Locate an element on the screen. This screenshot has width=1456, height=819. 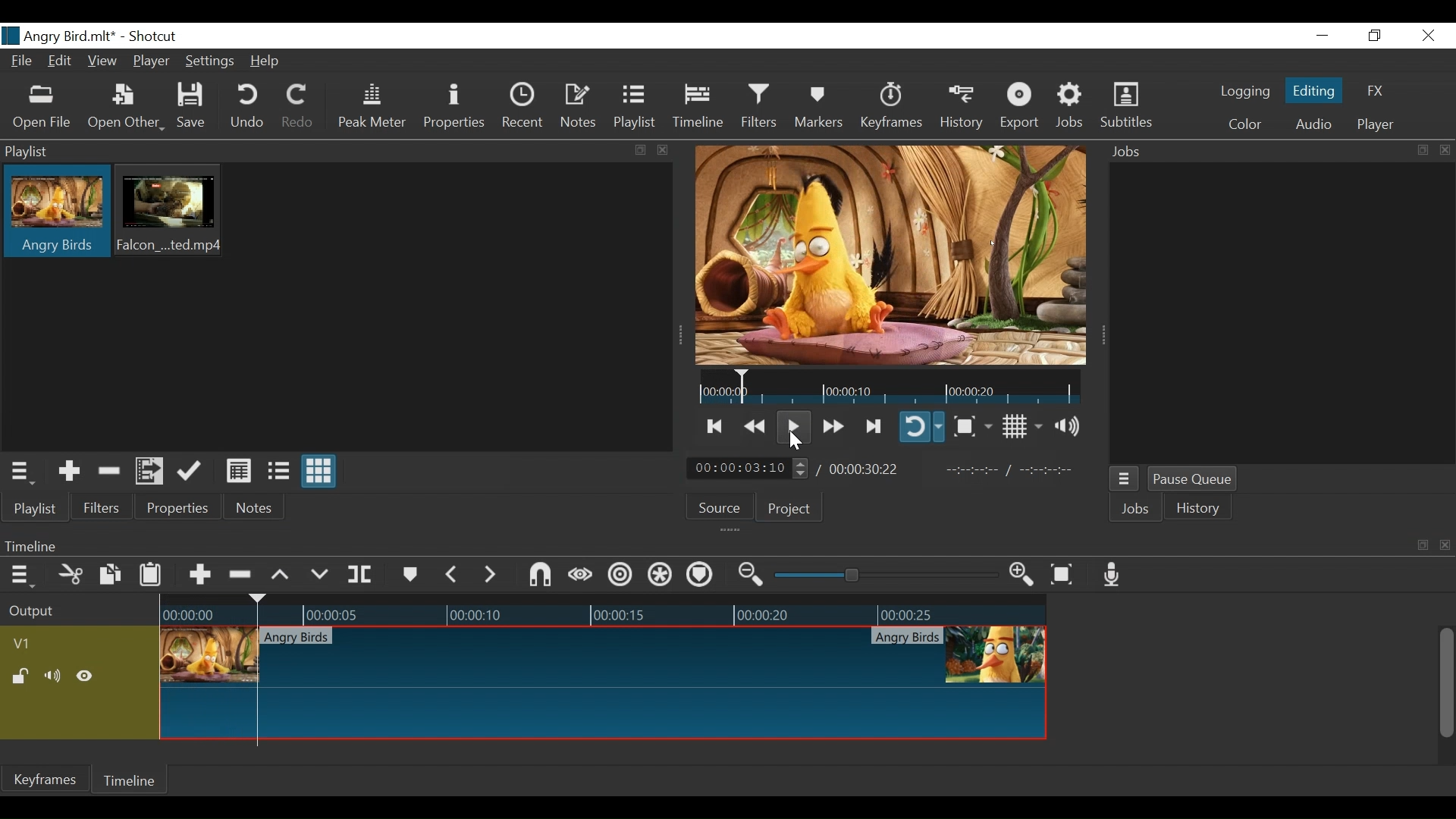
History is located at coordinates (964, 108).